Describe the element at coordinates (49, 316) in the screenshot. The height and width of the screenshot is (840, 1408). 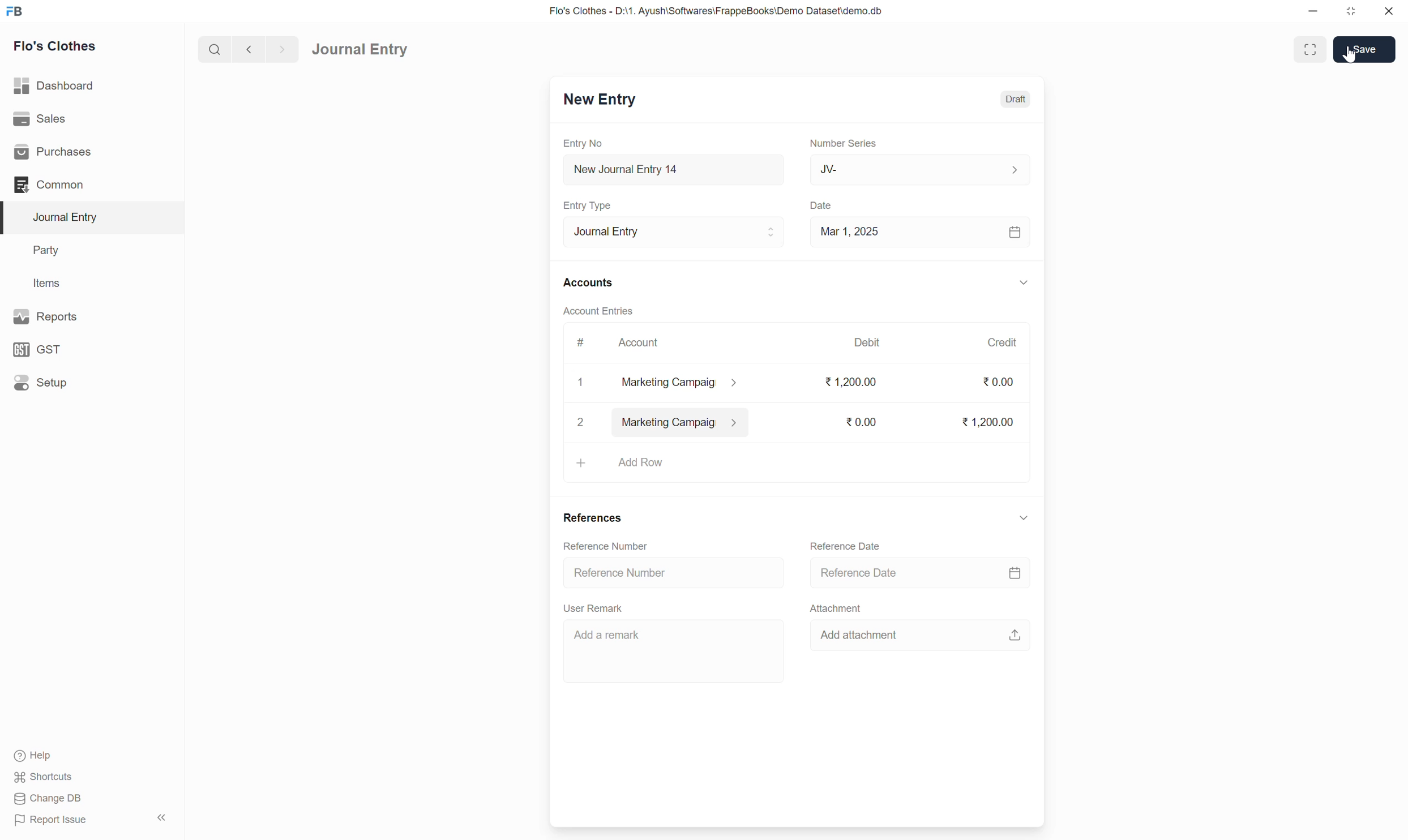
I see `Reports` at that location.